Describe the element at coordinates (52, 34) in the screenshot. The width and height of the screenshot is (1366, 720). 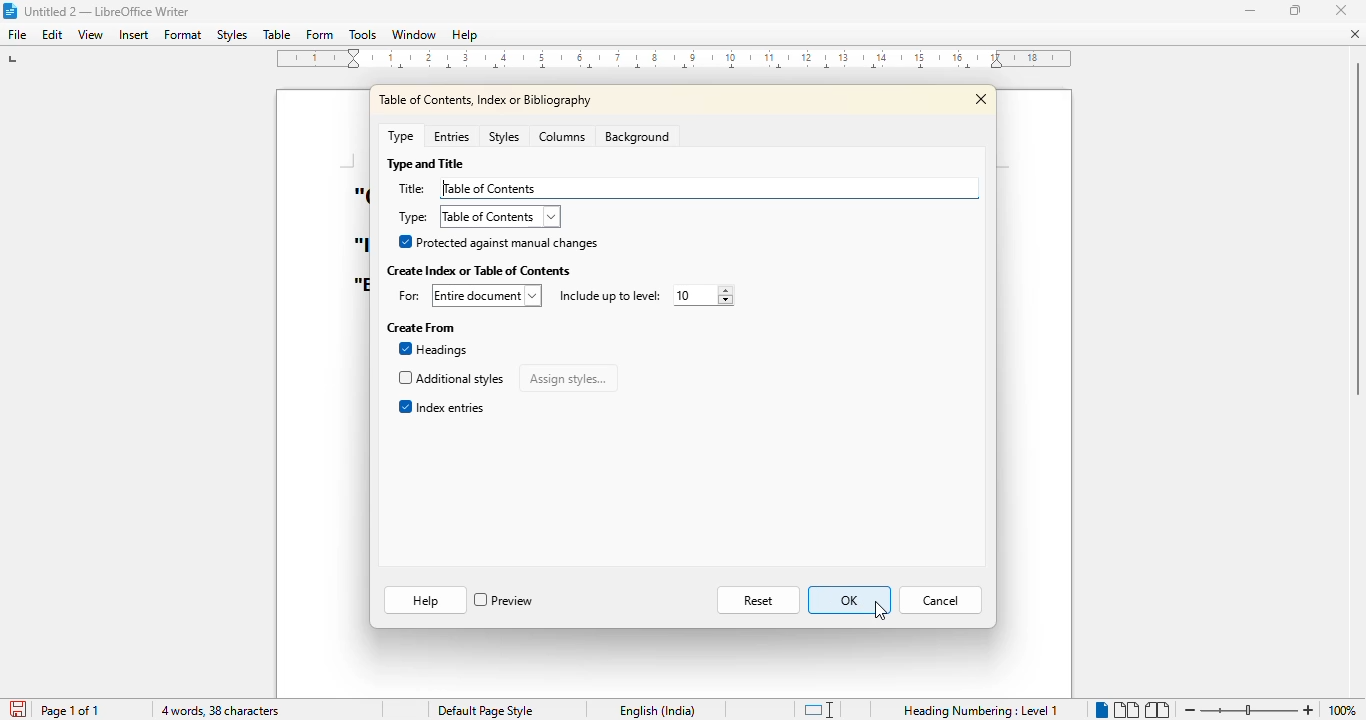
I see `edit` at that location.